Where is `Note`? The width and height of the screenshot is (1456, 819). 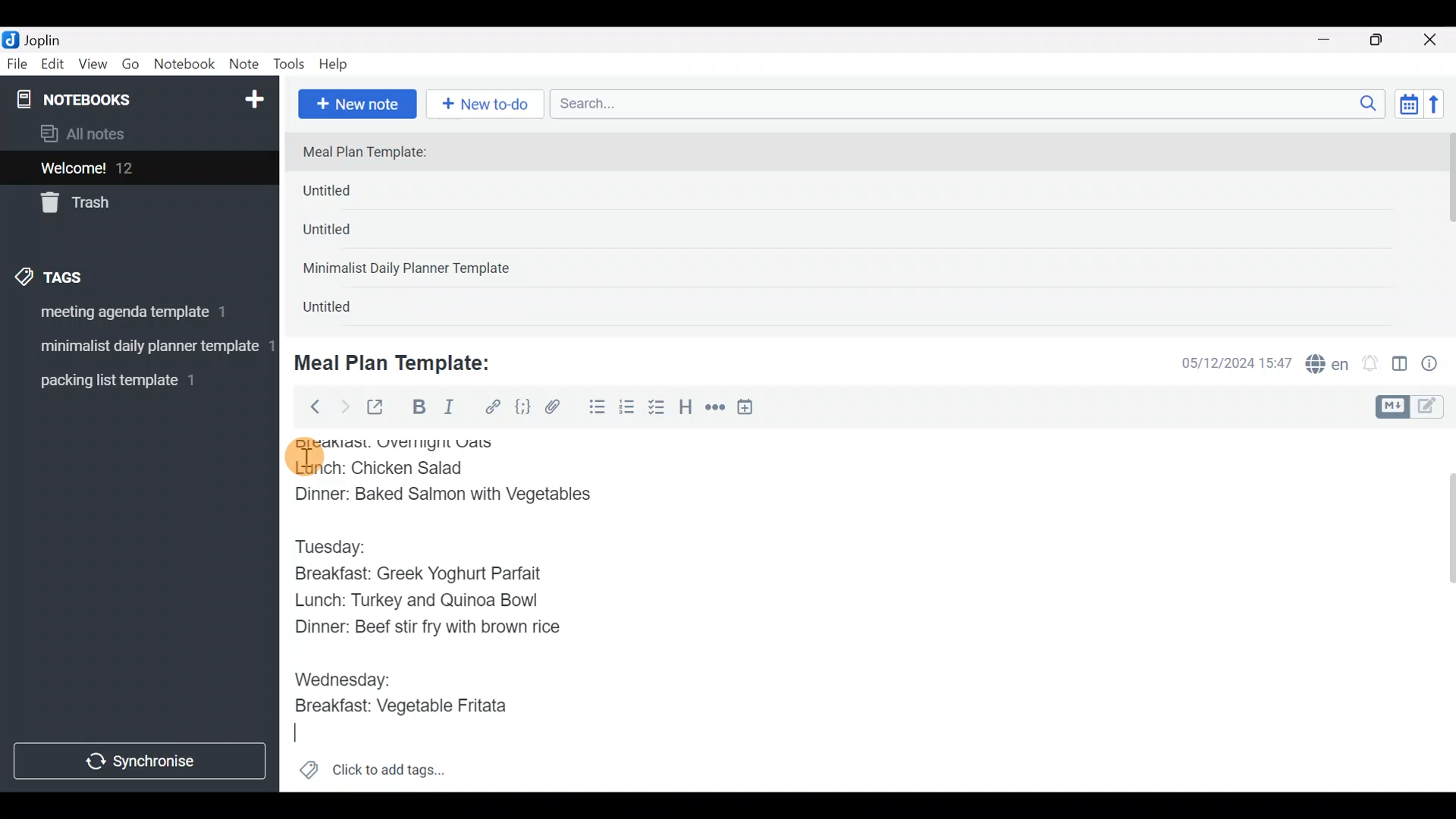
Note is located at coordinates (247, 65).